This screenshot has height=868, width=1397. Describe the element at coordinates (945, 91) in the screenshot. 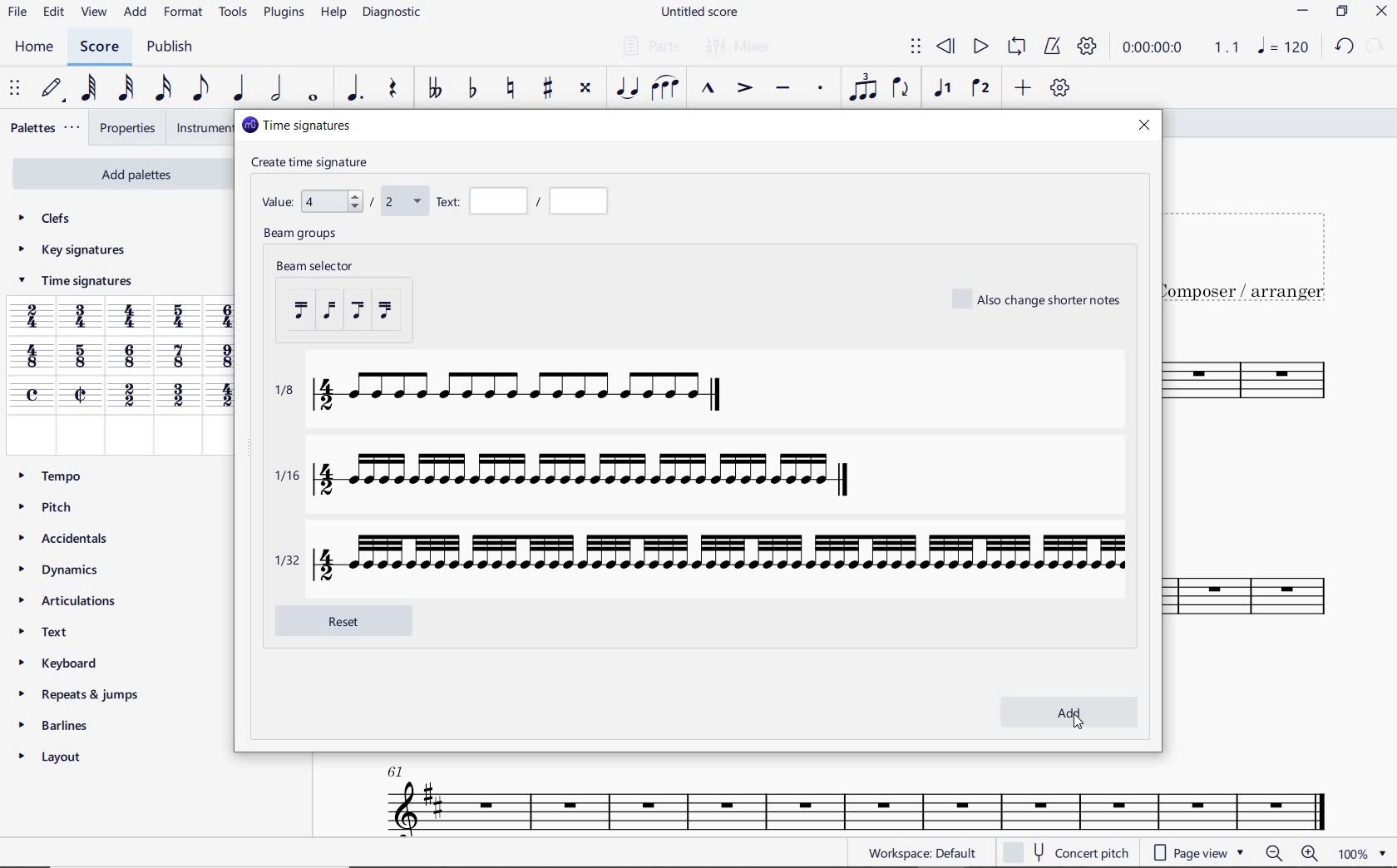

I see `VOICE 1` at that location.